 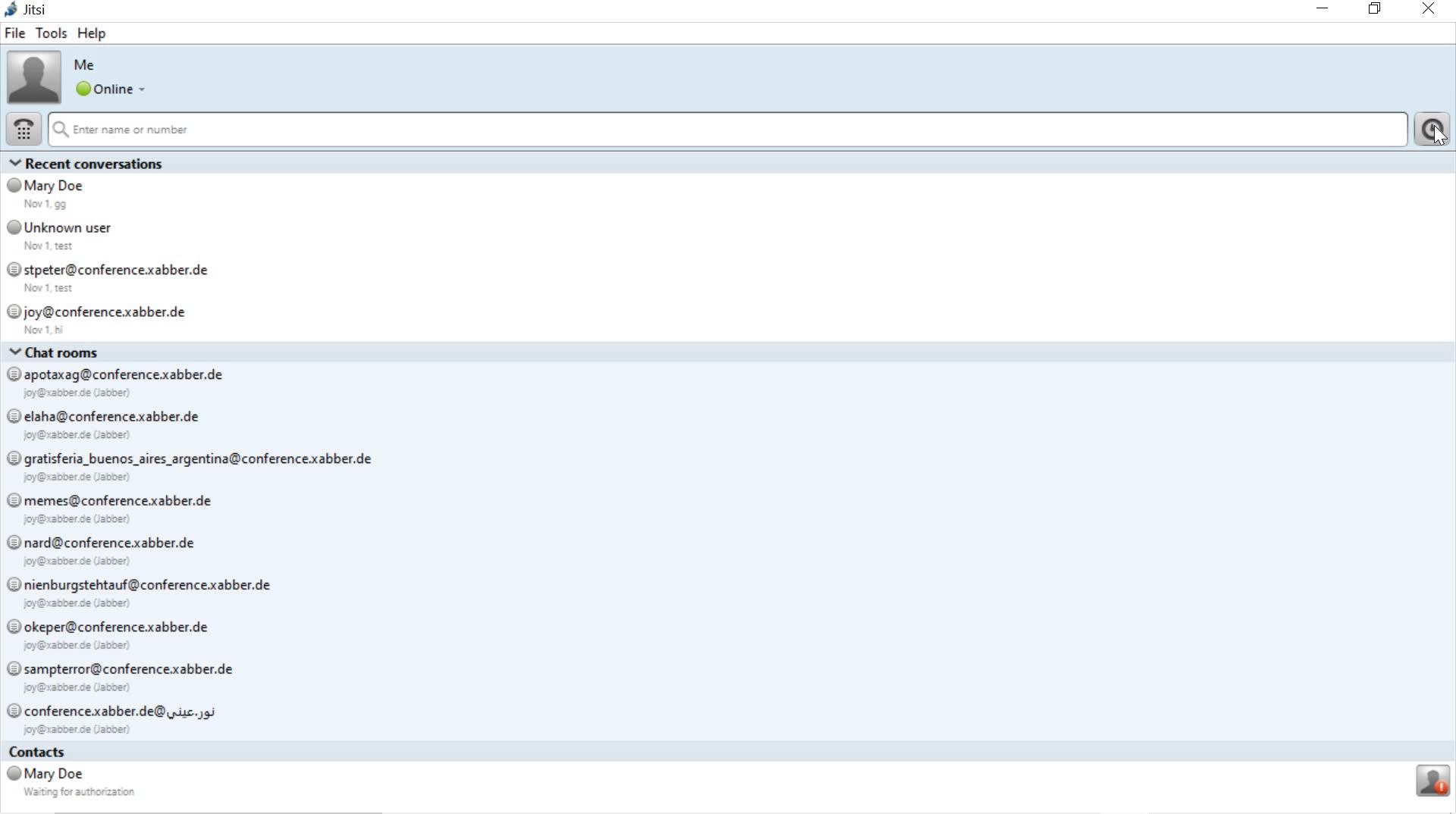 I want to click on recent conversations, so click(x=730, y=249).